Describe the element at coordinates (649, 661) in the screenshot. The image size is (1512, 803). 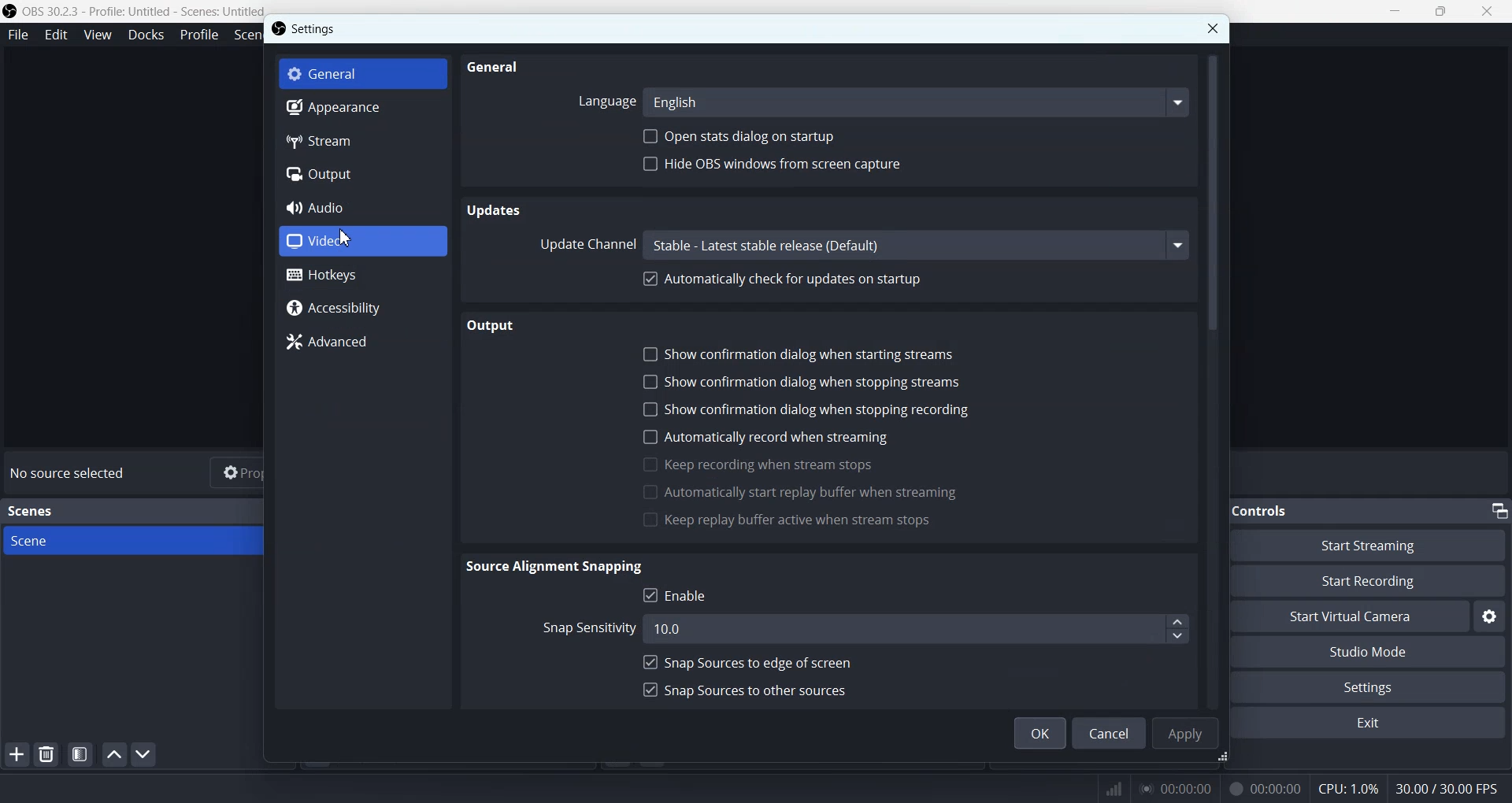
I see `checkbox` at that location.